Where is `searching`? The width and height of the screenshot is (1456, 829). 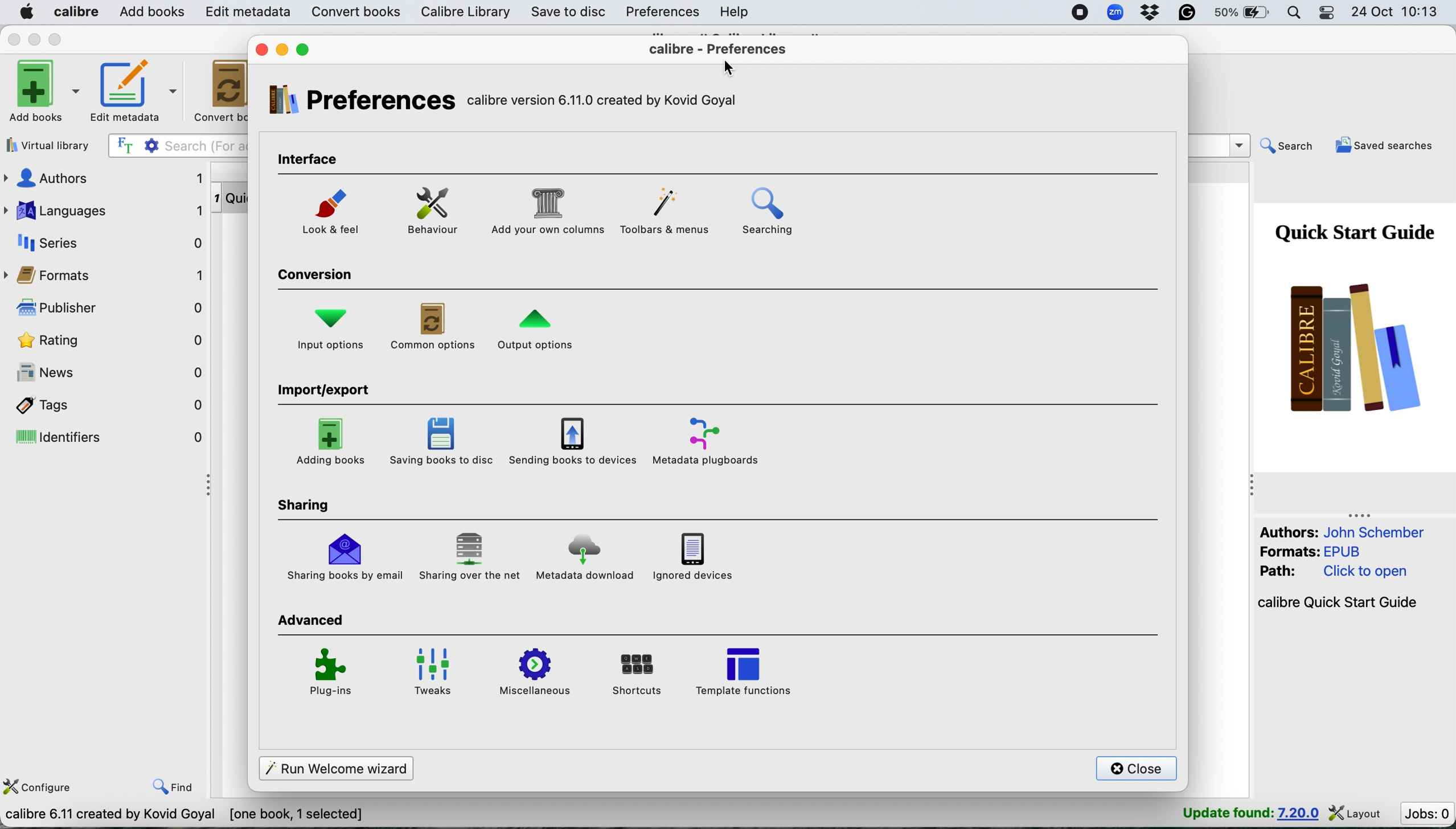
searching is located at coordinates (785, 213).